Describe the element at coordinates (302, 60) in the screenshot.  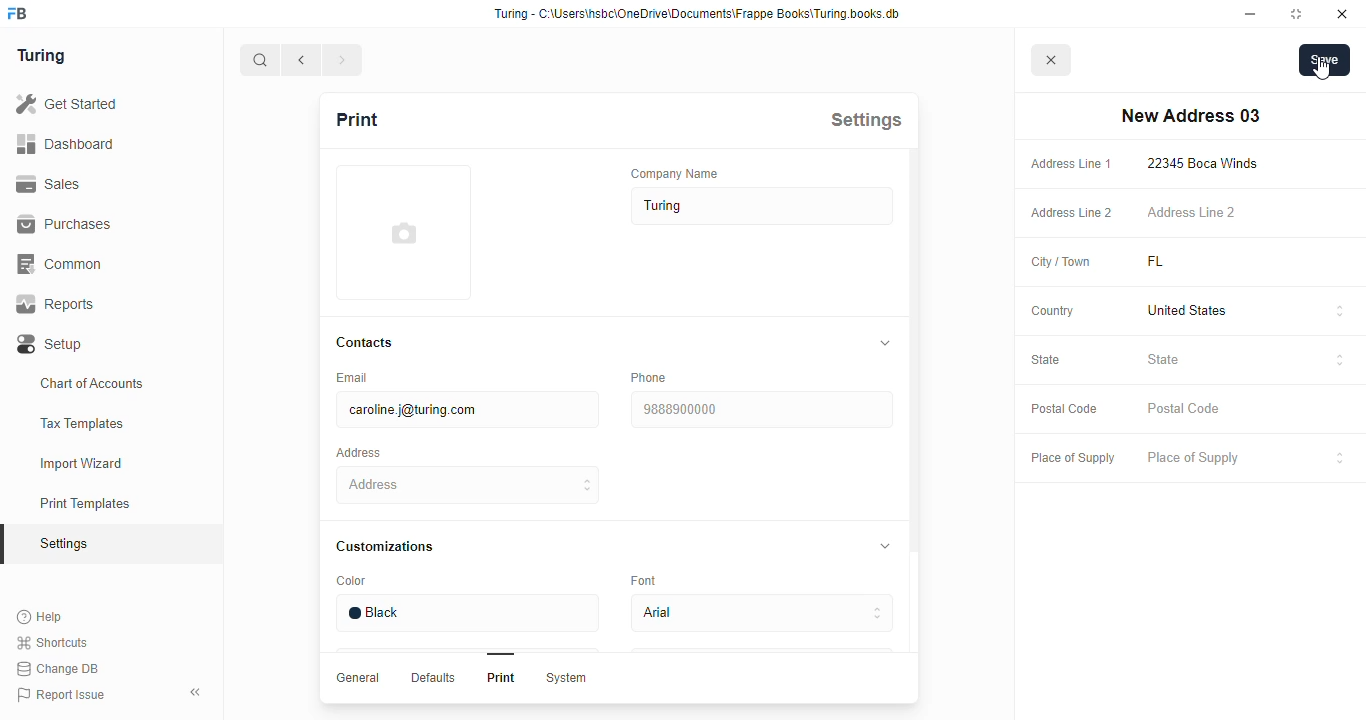
I see `previous` at that location.